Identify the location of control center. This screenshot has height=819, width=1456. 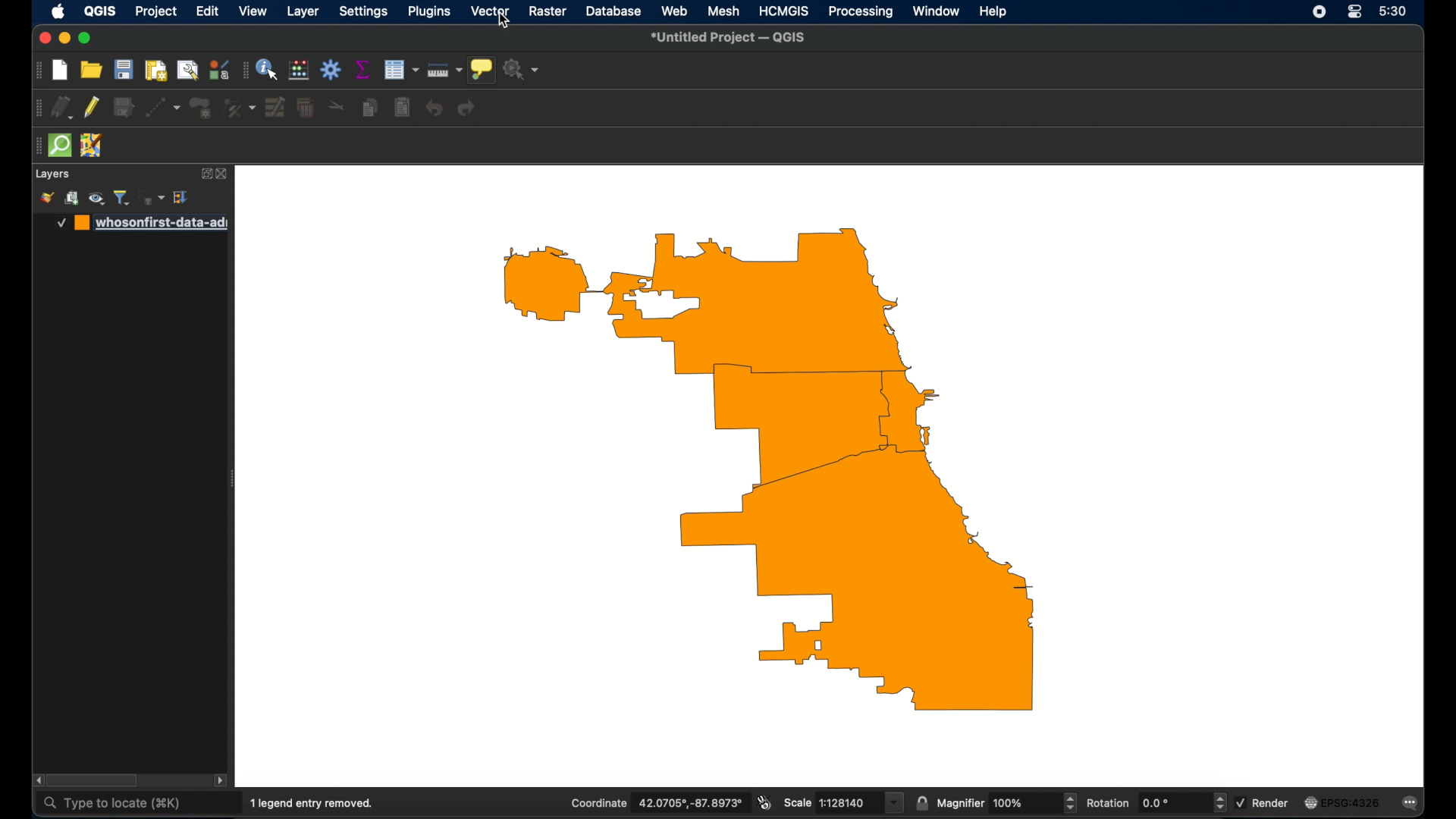
(1354, 12).